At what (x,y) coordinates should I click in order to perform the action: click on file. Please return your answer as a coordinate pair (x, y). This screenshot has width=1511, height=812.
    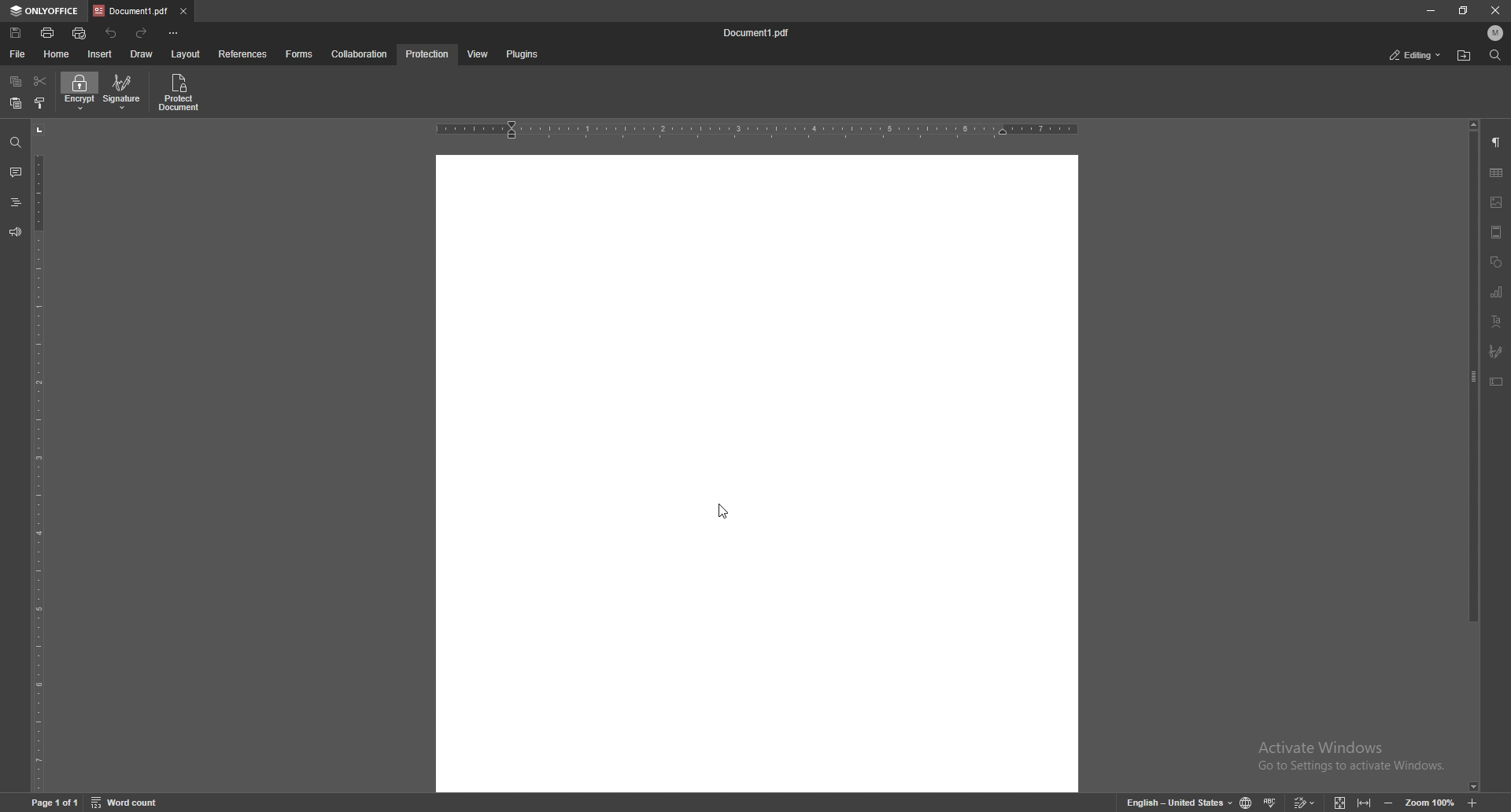
    Looking at the image, I should click on (16, 55).